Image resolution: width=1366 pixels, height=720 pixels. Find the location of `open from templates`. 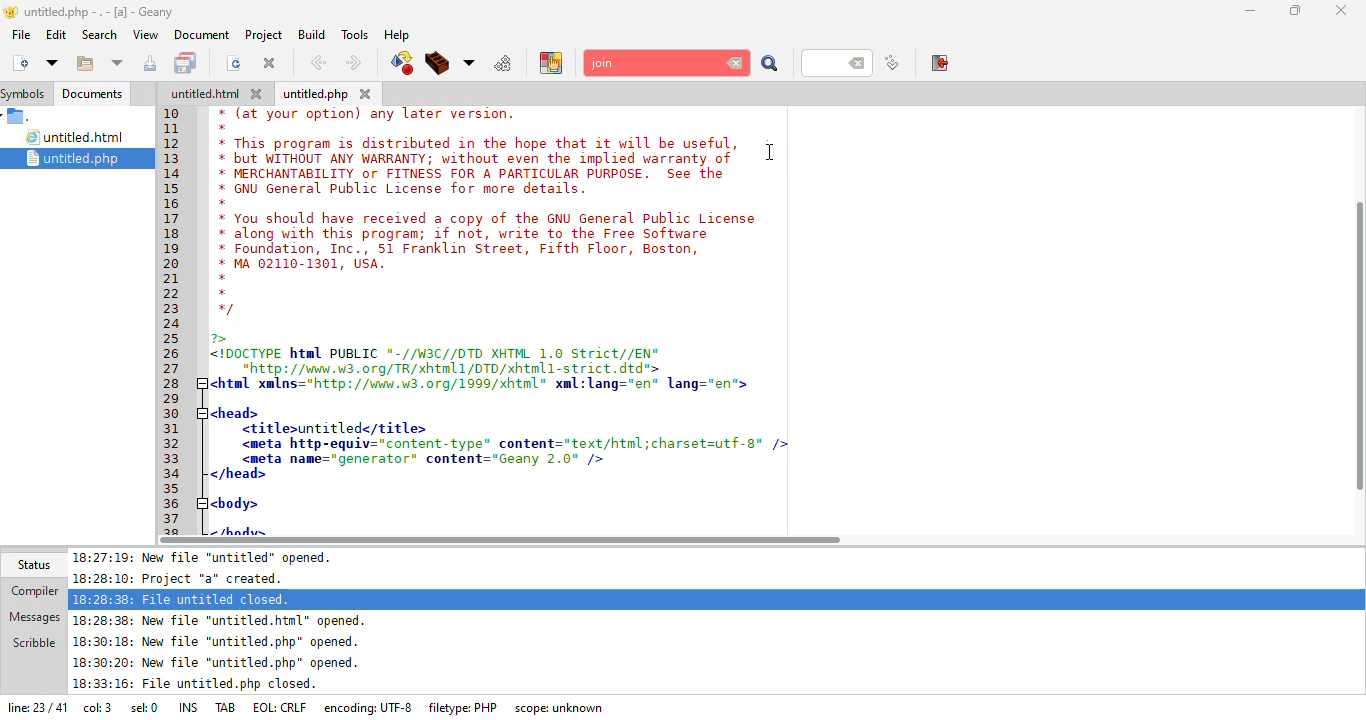

open from templates is located at coordinates (52, 62).